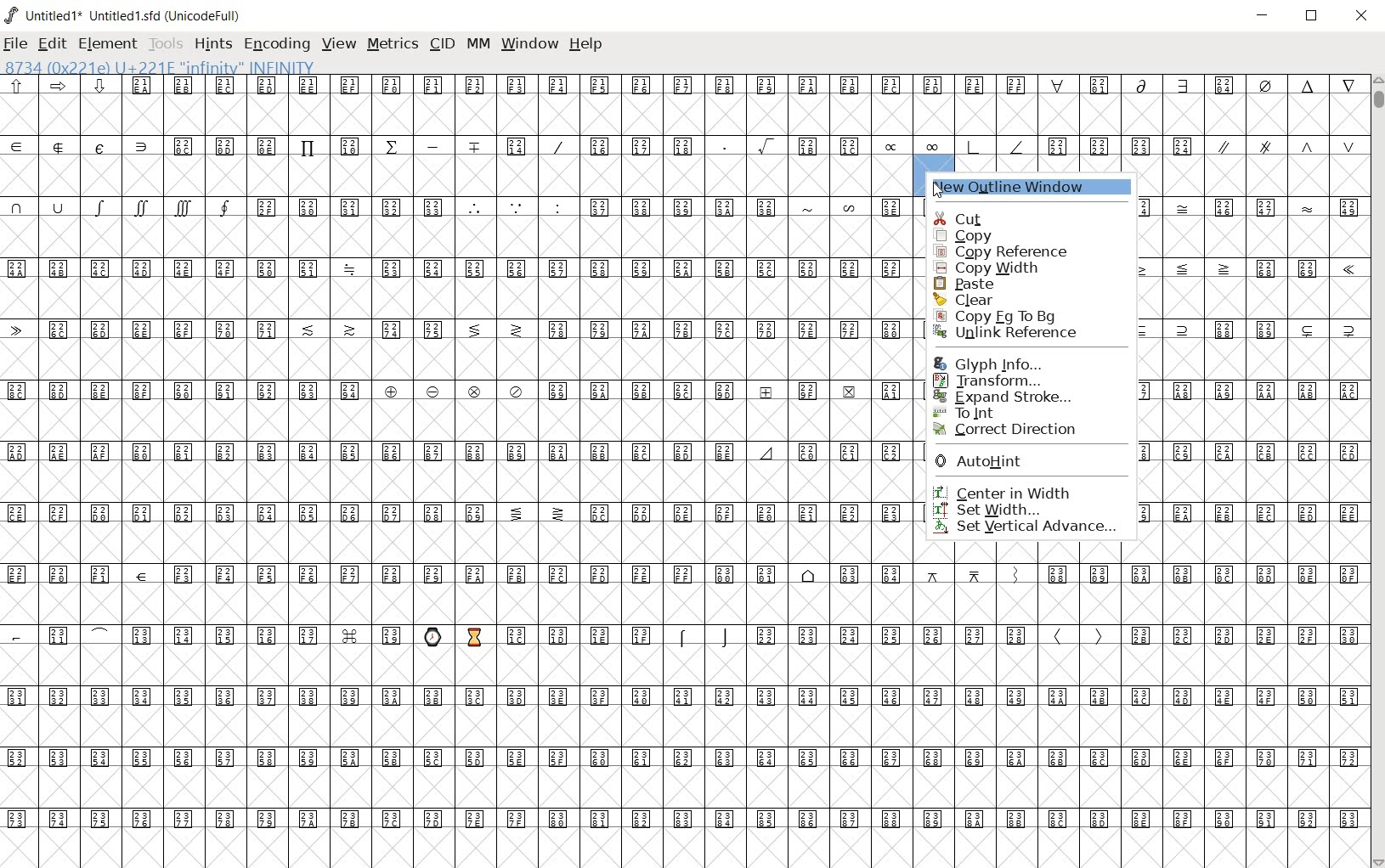 The image size is (1385, 868). Describe the element at coordinates (1025, 362) in the screenshot. I see `Glyph Info` at that location.